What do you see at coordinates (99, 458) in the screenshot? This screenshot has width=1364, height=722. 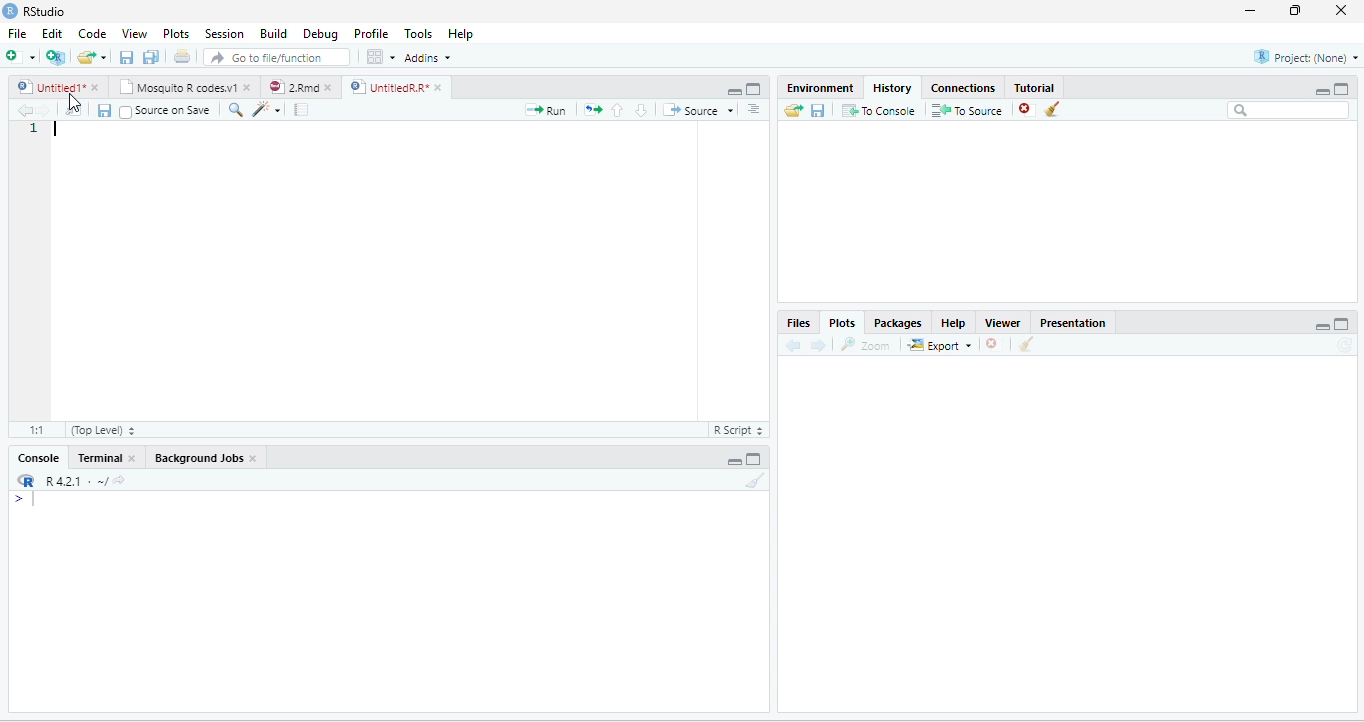 I see `Terminal` at bounding box center [99, 458].